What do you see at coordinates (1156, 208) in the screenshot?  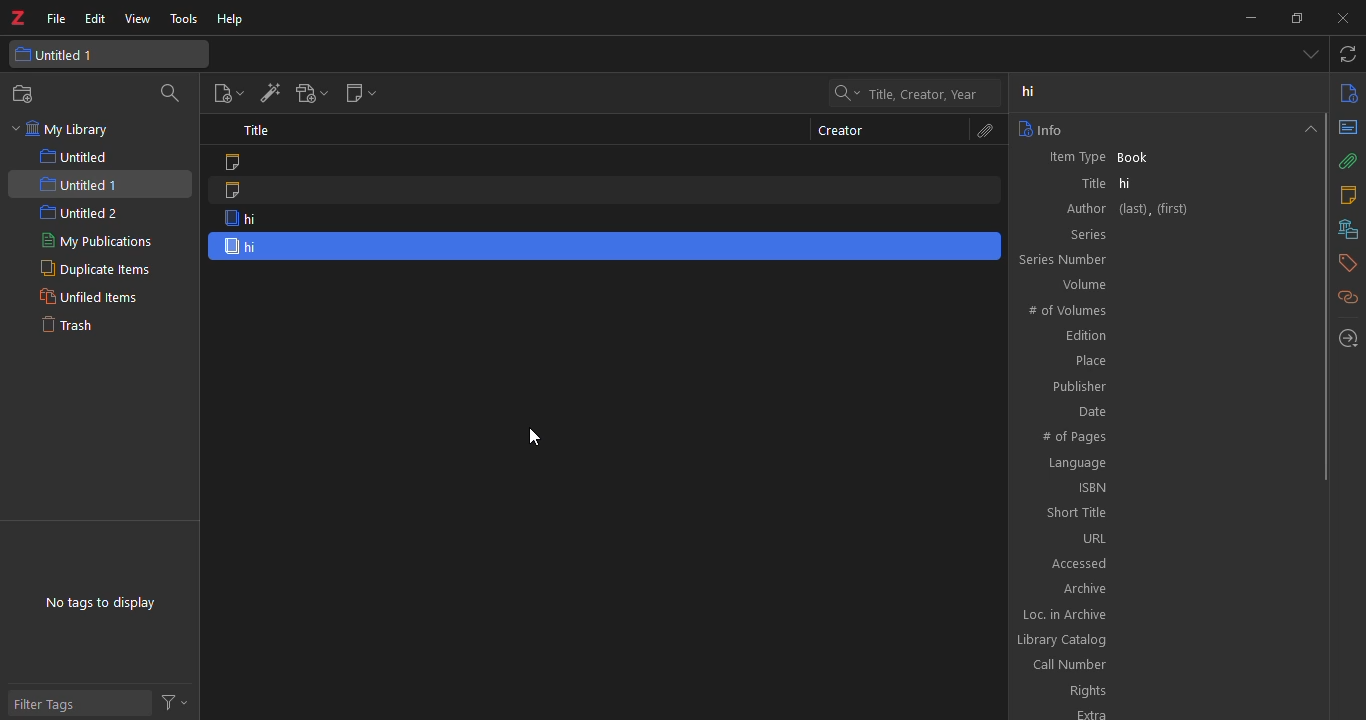 I see `(last), (first)` at bounding box center [1156, 208].